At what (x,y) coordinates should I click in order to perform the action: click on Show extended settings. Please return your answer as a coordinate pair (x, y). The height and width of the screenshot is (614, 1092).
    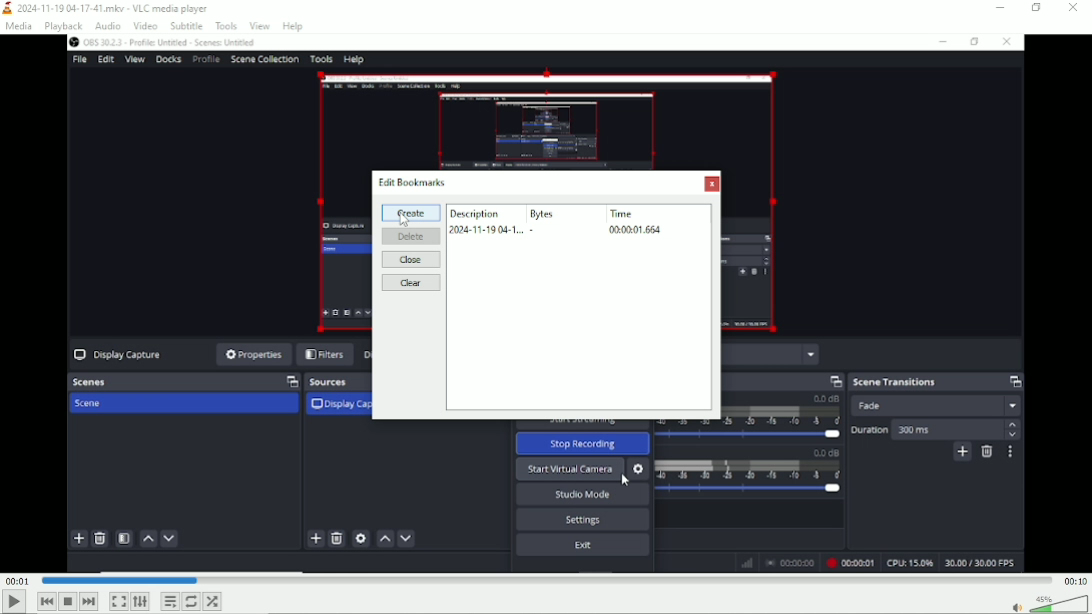
    Looking at the image, I should click on (141, 602).